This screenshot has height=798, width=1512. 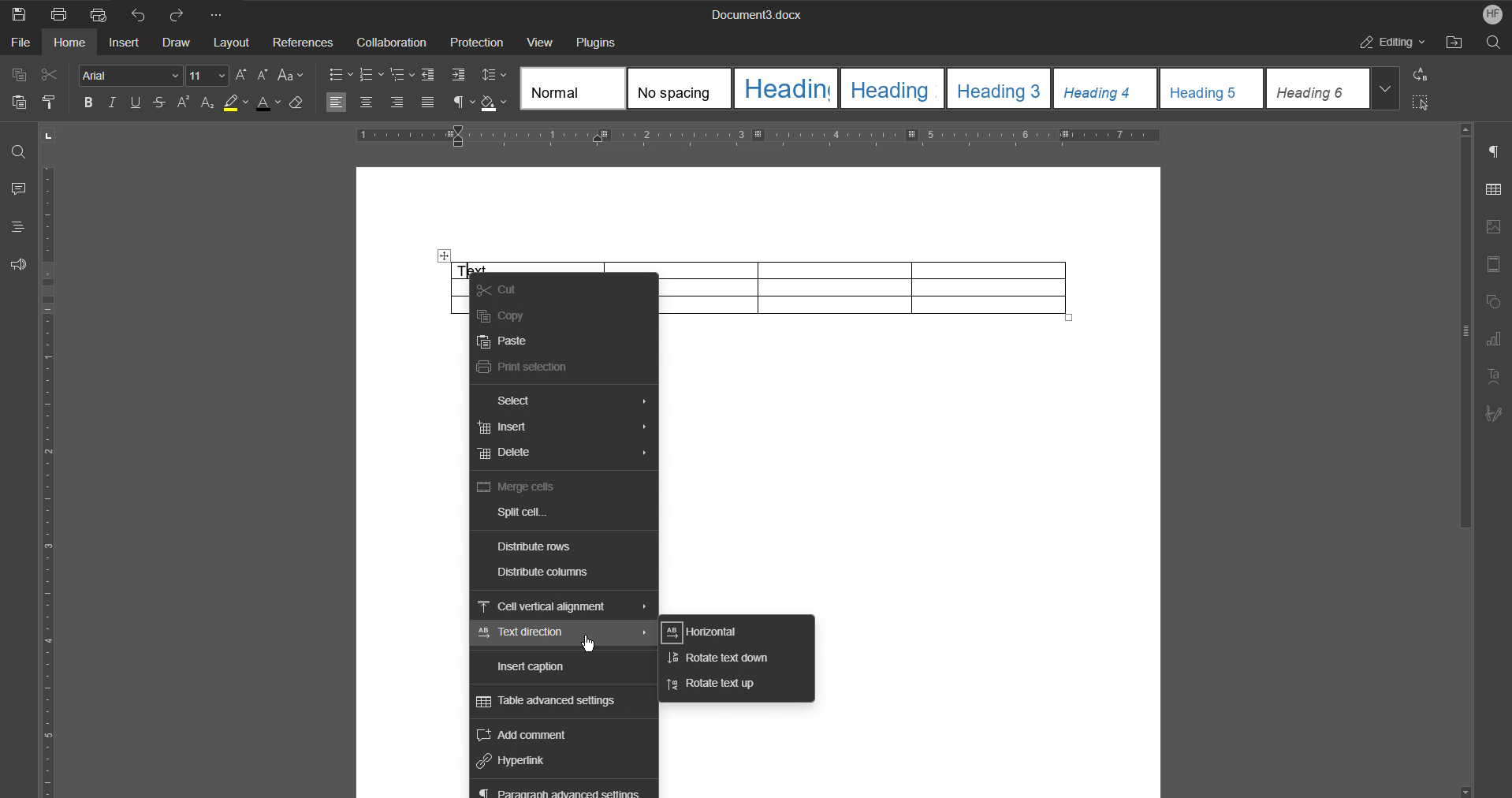 I want to click on scroll up, so click(x=1465, y=129).